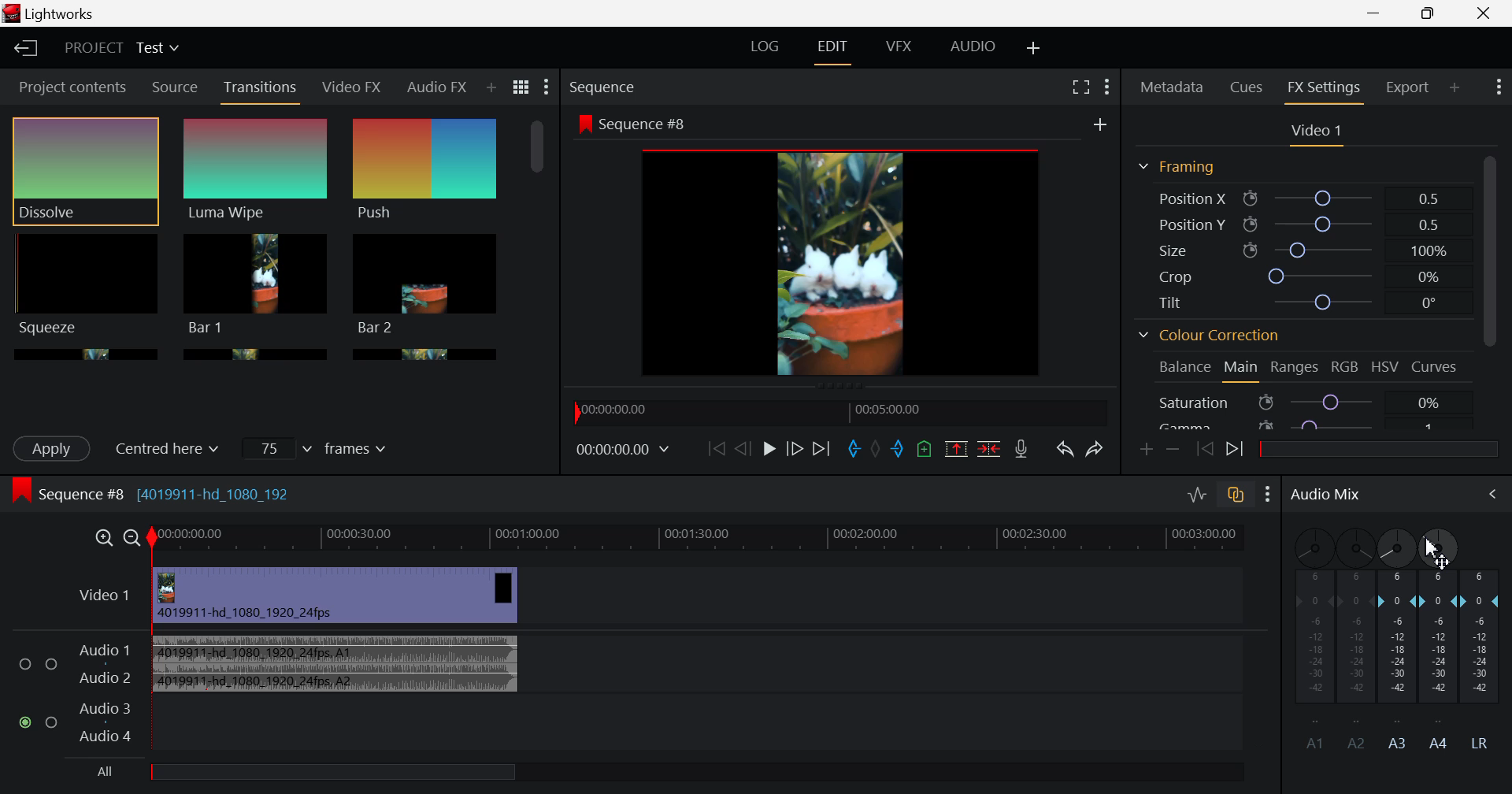 This screenshot has width=1512, height=794. What do you see at coordinates (844, 247) in the screenshot?
I see `Sequence Preview Screen` at bounding box center [844, 247].